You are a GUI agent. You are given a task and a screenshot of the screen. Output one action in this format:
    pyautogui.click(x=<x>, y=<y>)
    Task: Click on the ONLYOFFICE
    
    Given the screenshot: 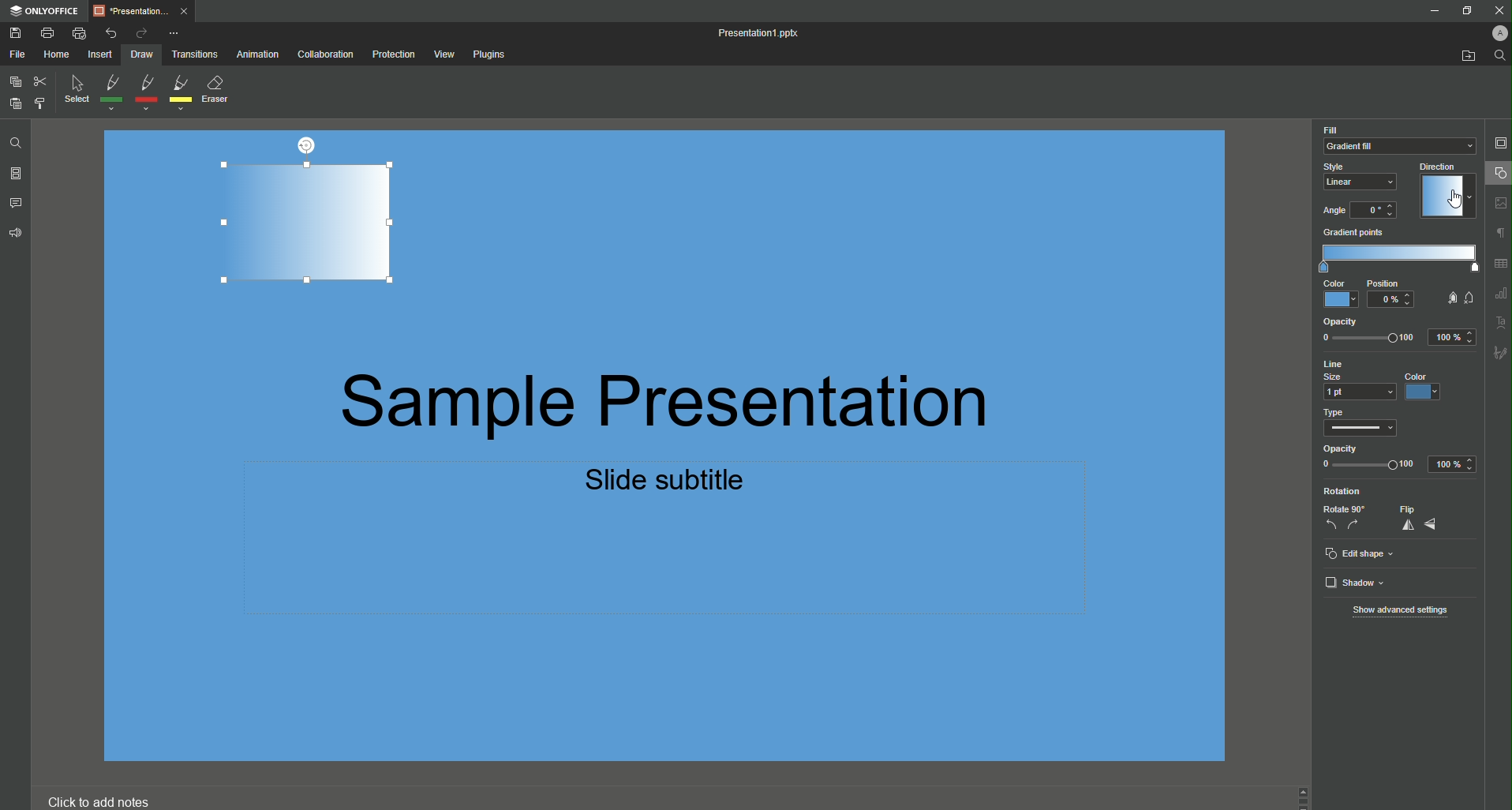 What is the action you would take?
    pyautogui.click(x=47, y=10)
    